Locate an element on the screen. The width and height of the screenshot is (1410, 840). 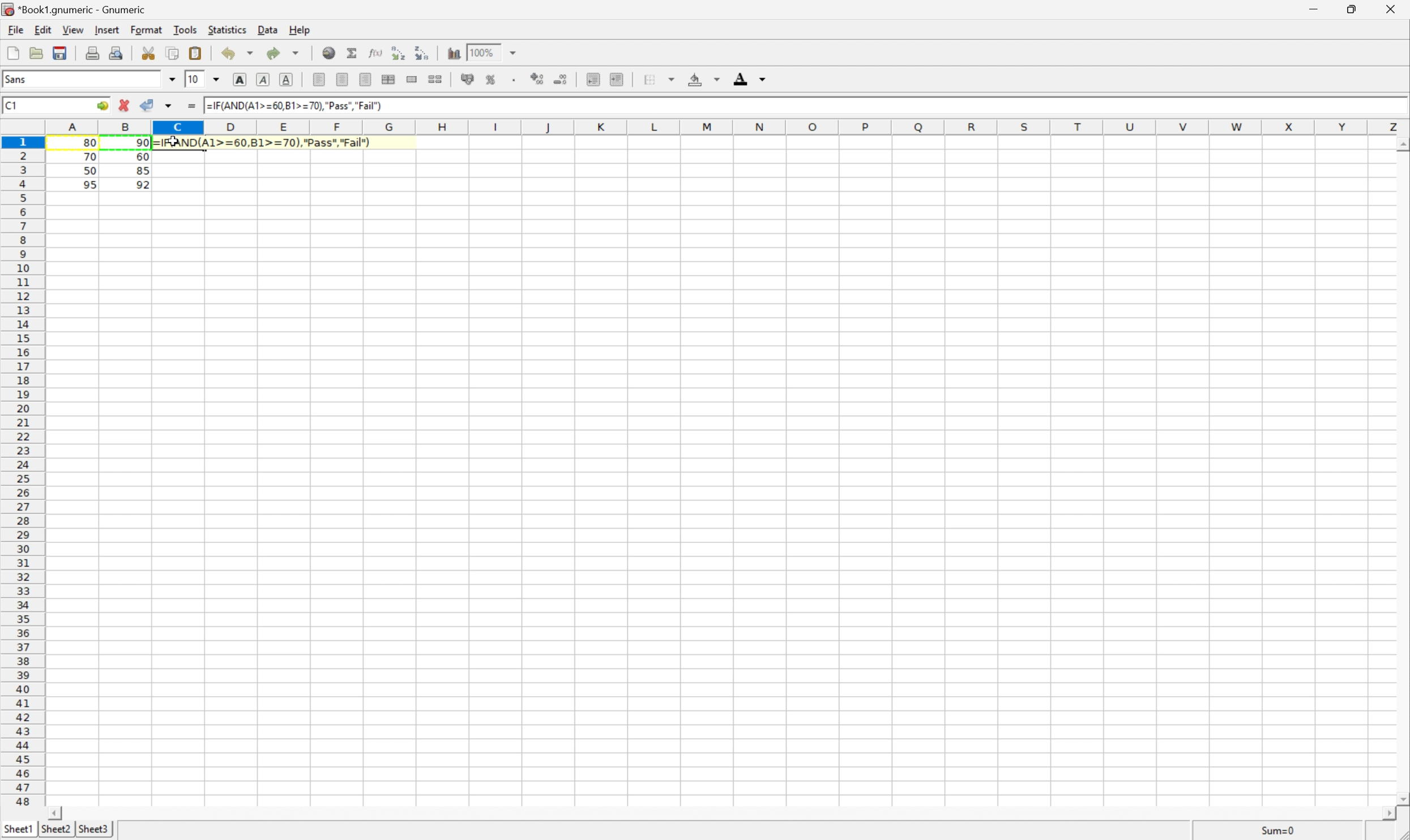
*Book1.gnumeric - Gnumeric is located at coordinates (72, 9).